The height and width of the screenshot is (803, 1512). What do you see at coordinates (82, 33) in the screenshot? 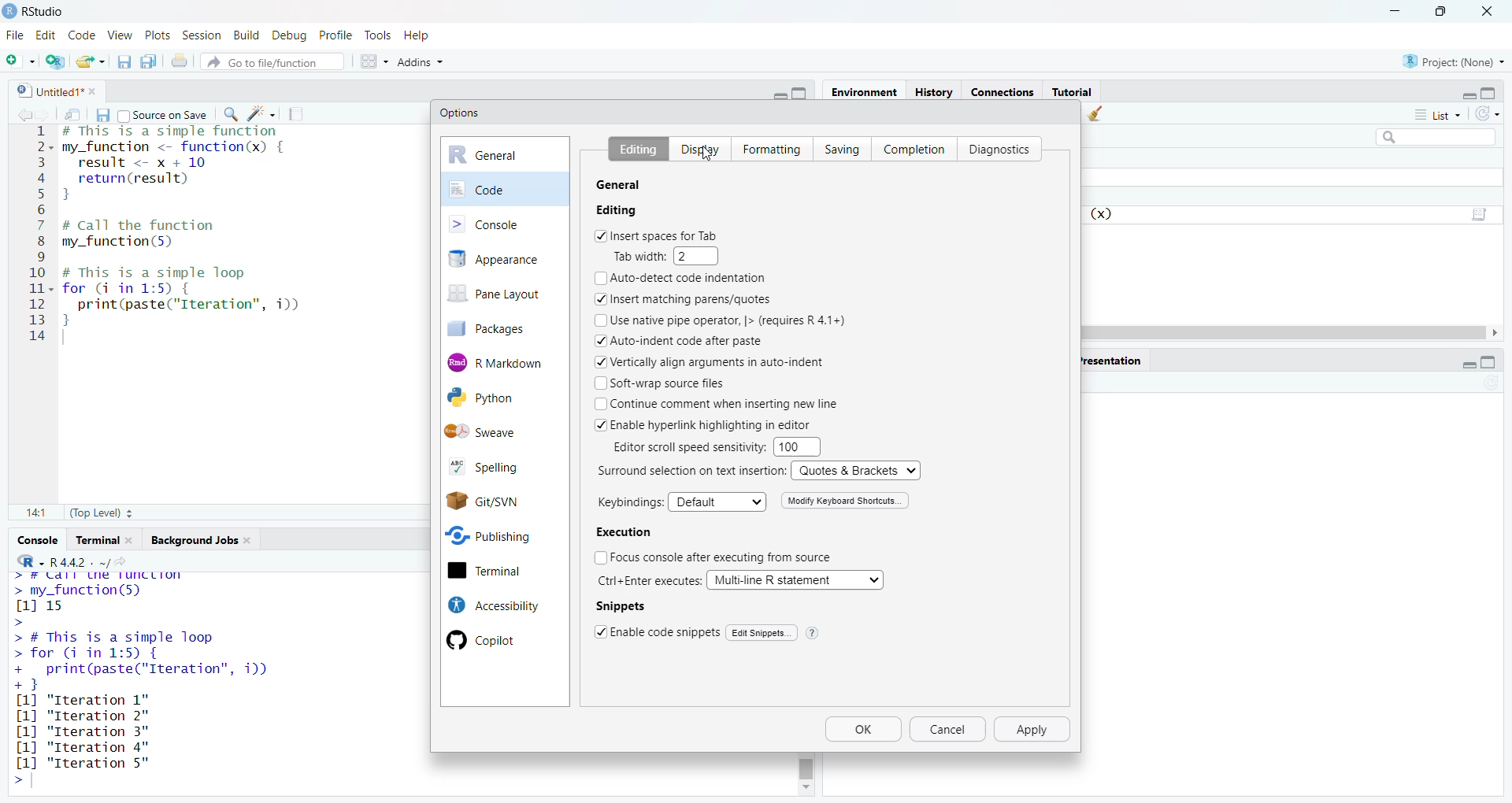
I see `code` at bounding box center [82, 33].